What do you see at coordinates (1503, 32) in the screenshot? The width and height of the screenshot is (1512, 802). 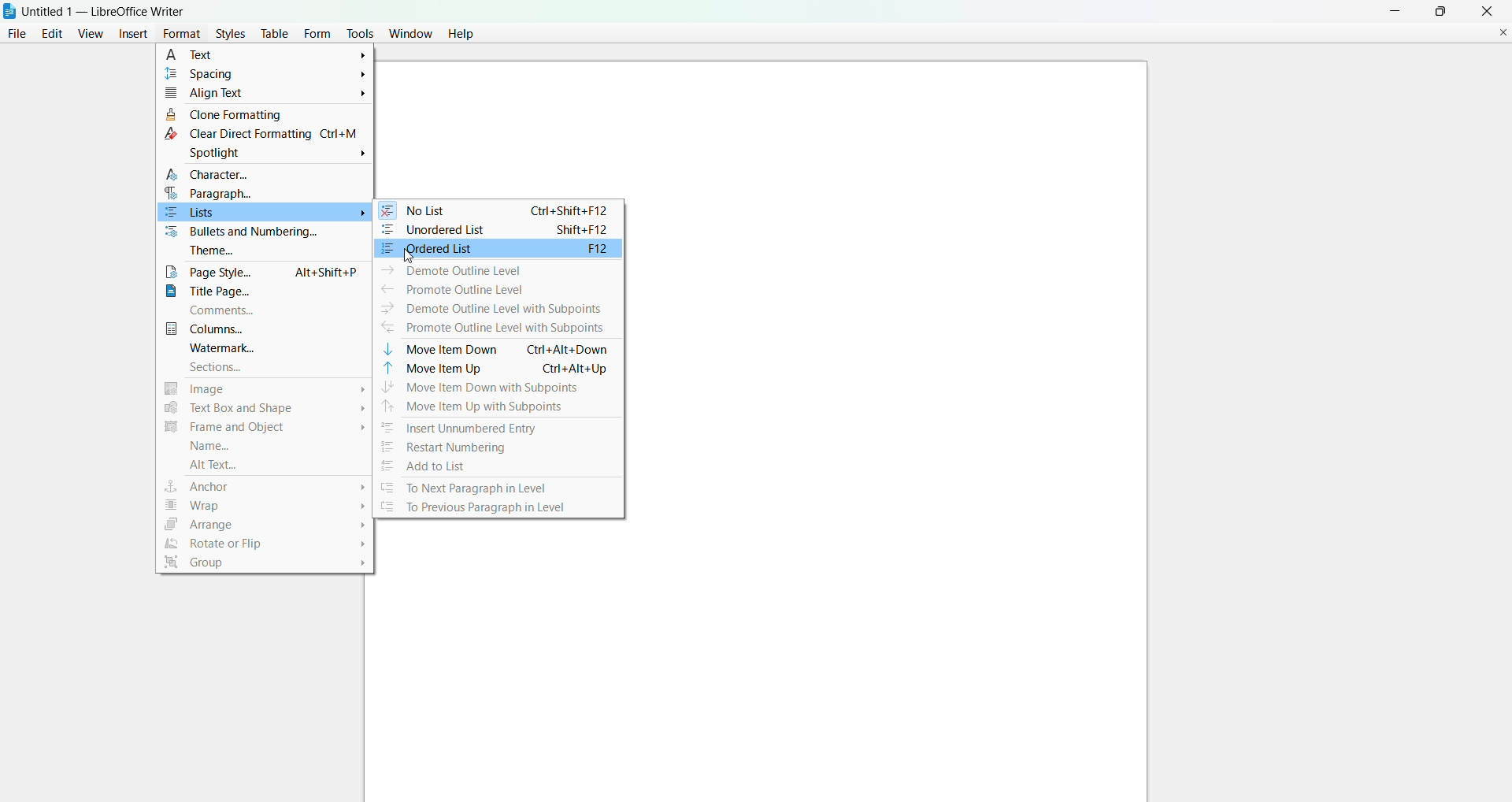 I see `close document` at bounding box center [1503, 32].